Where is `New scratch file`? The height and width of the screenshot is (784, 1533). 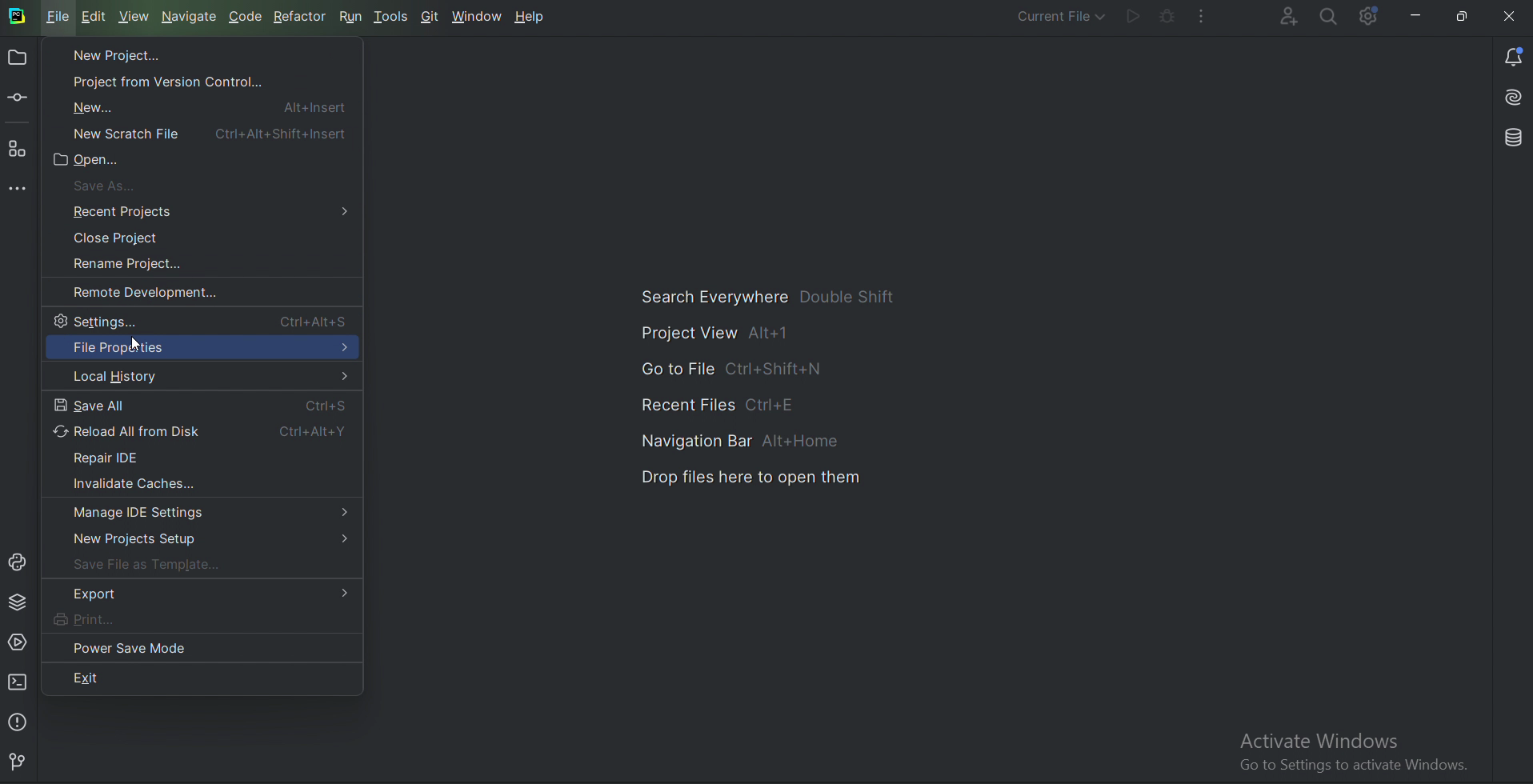 New scratch file is located at coordinates (207, 133).